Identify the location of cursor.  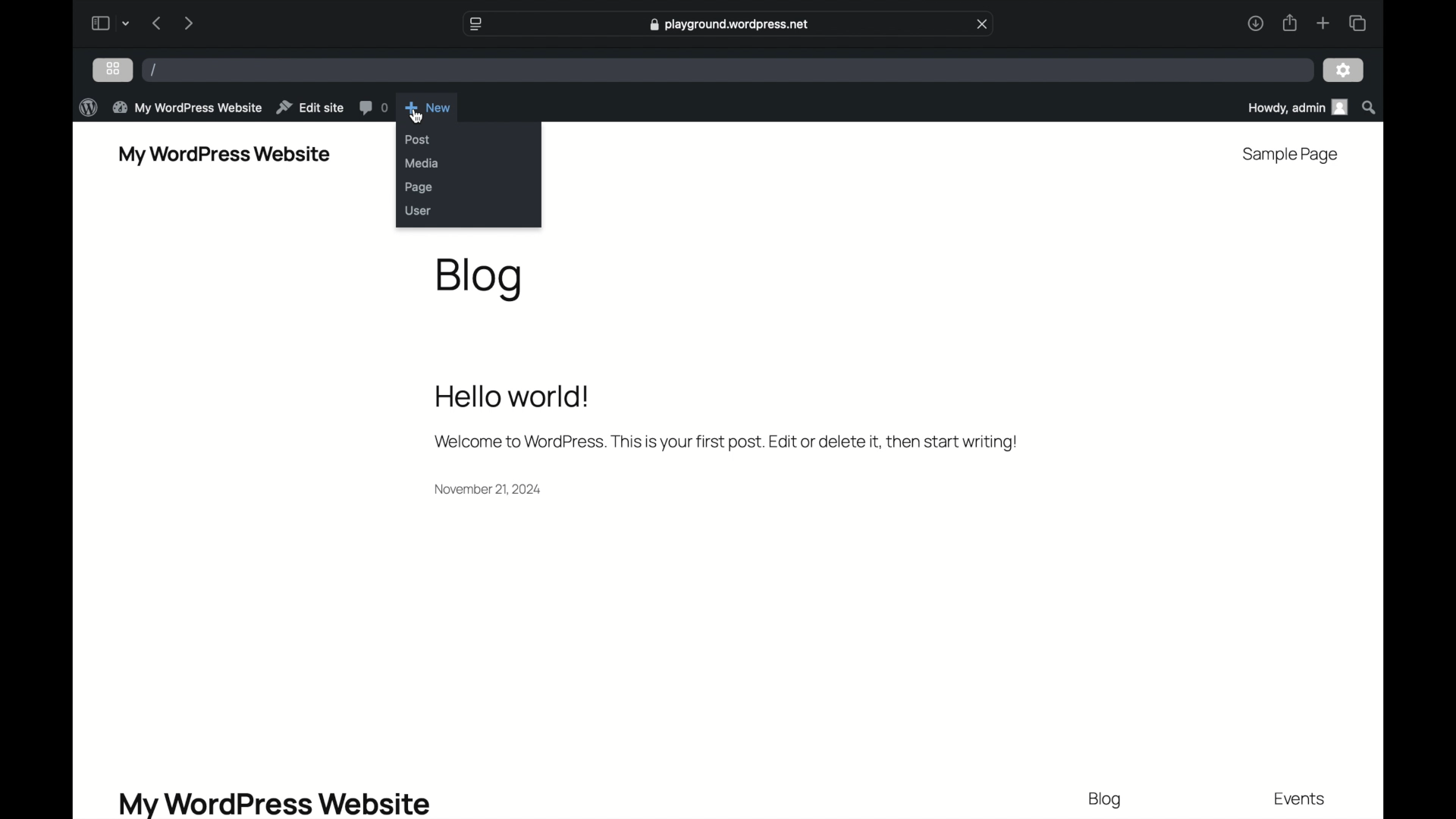
(418, 116).